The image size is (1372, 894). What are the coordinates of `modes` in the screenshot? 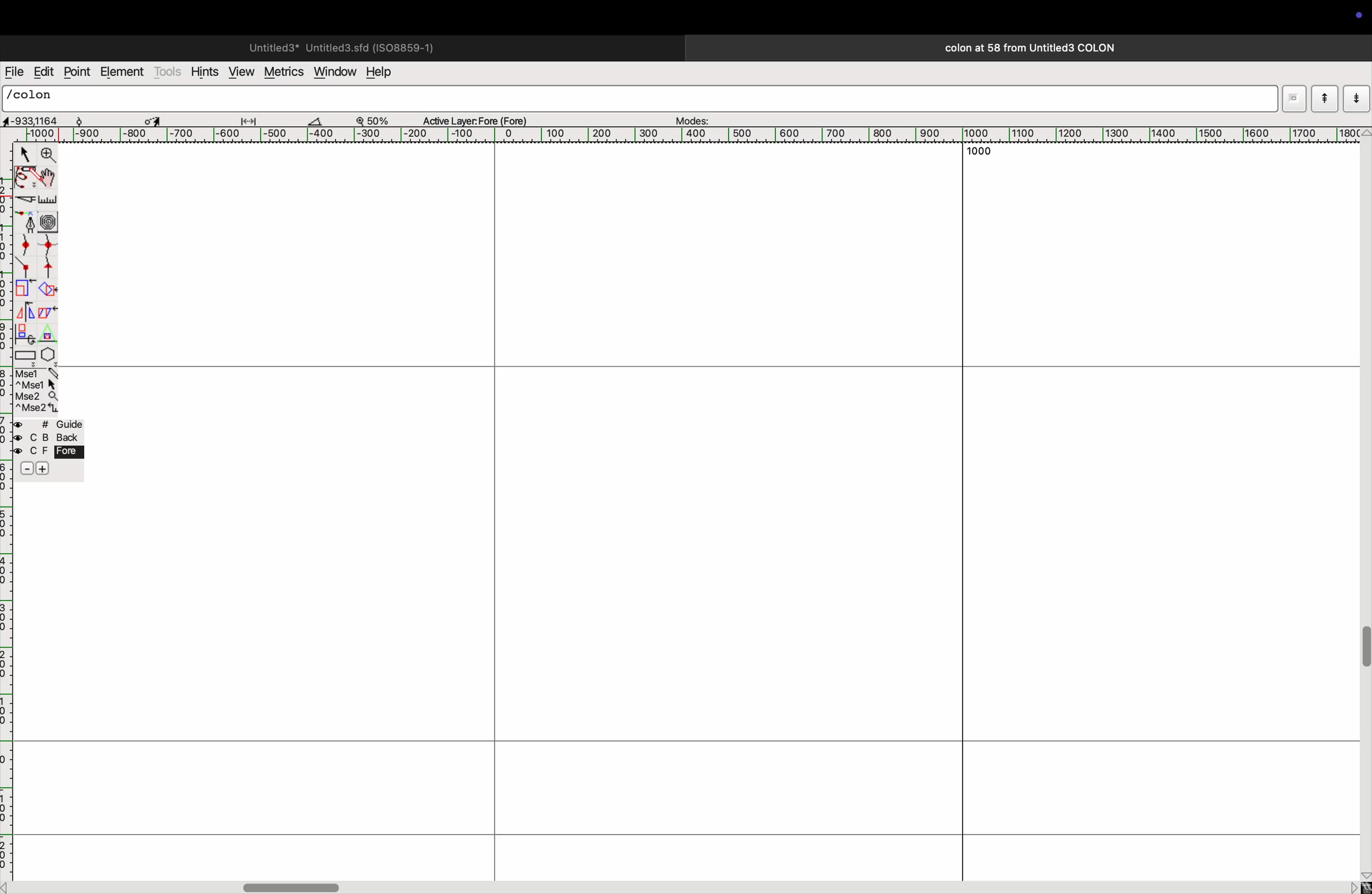 It's located at (694, 118).